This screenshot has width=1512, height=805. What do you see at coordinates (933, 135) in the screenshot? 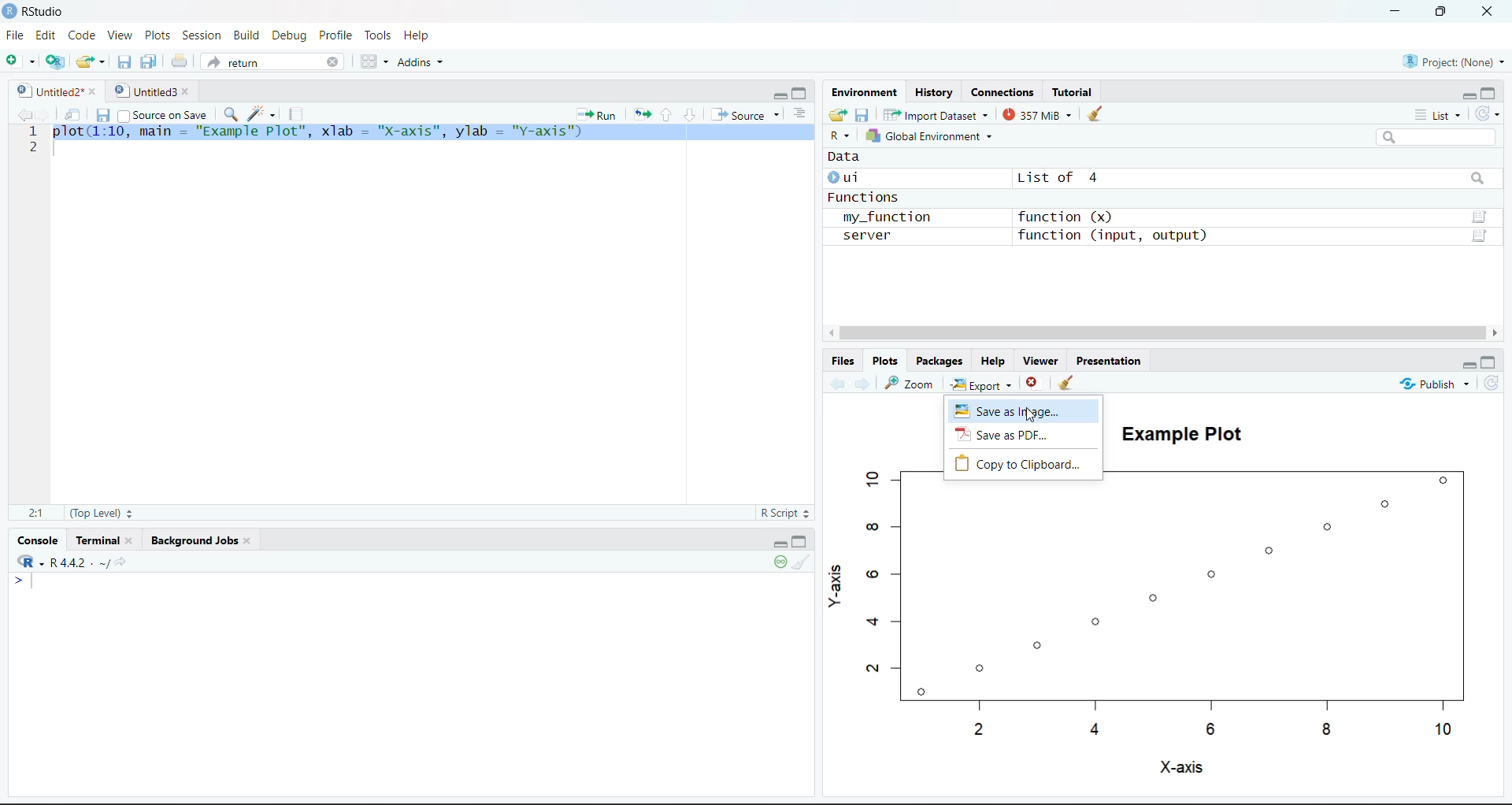
I see `Global Environment` at bounding box center [933, 135].